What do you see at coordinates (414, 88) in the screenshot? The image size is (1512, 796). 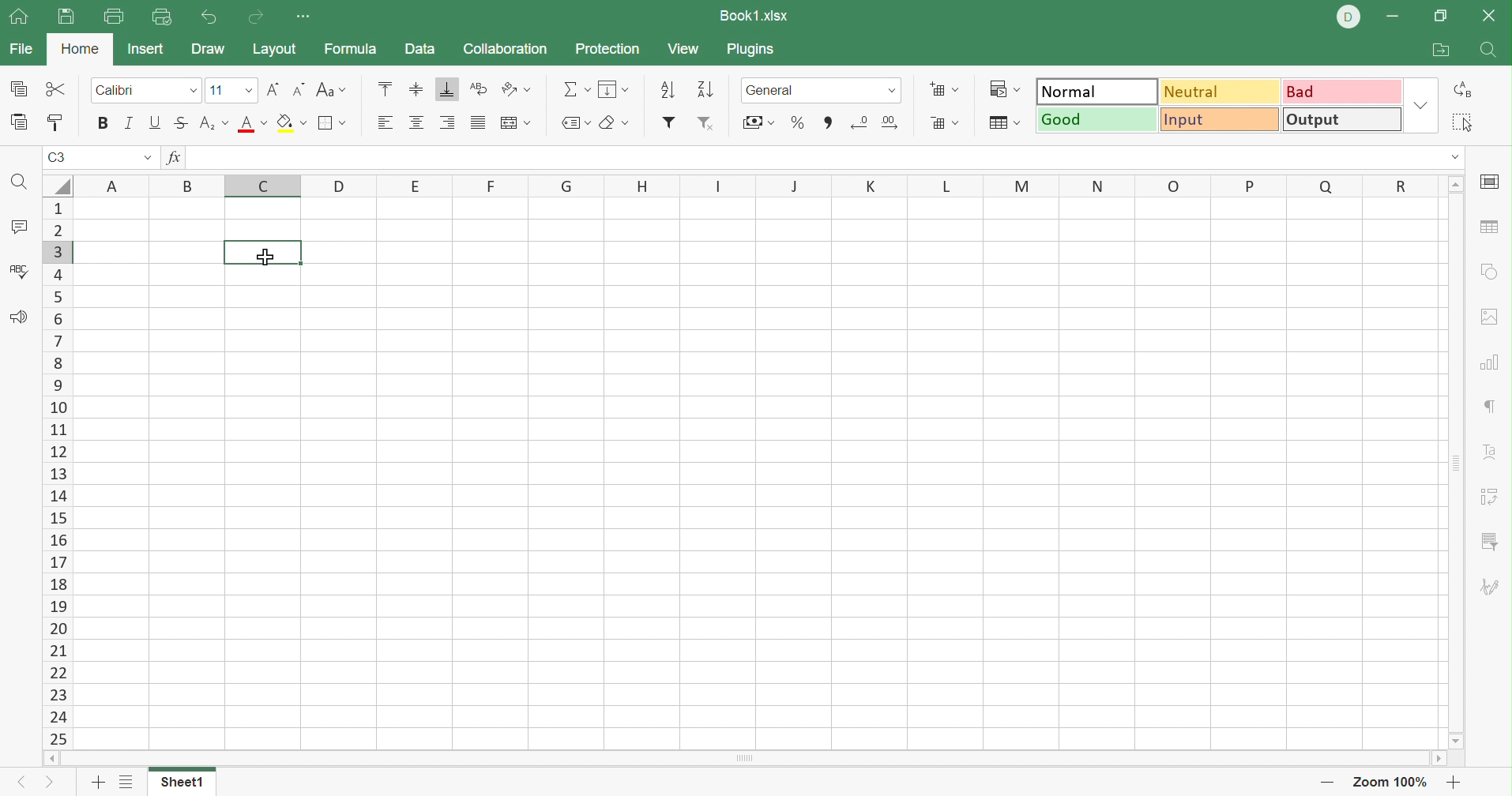 I see `Align middle` at bounding box center [414, 88].